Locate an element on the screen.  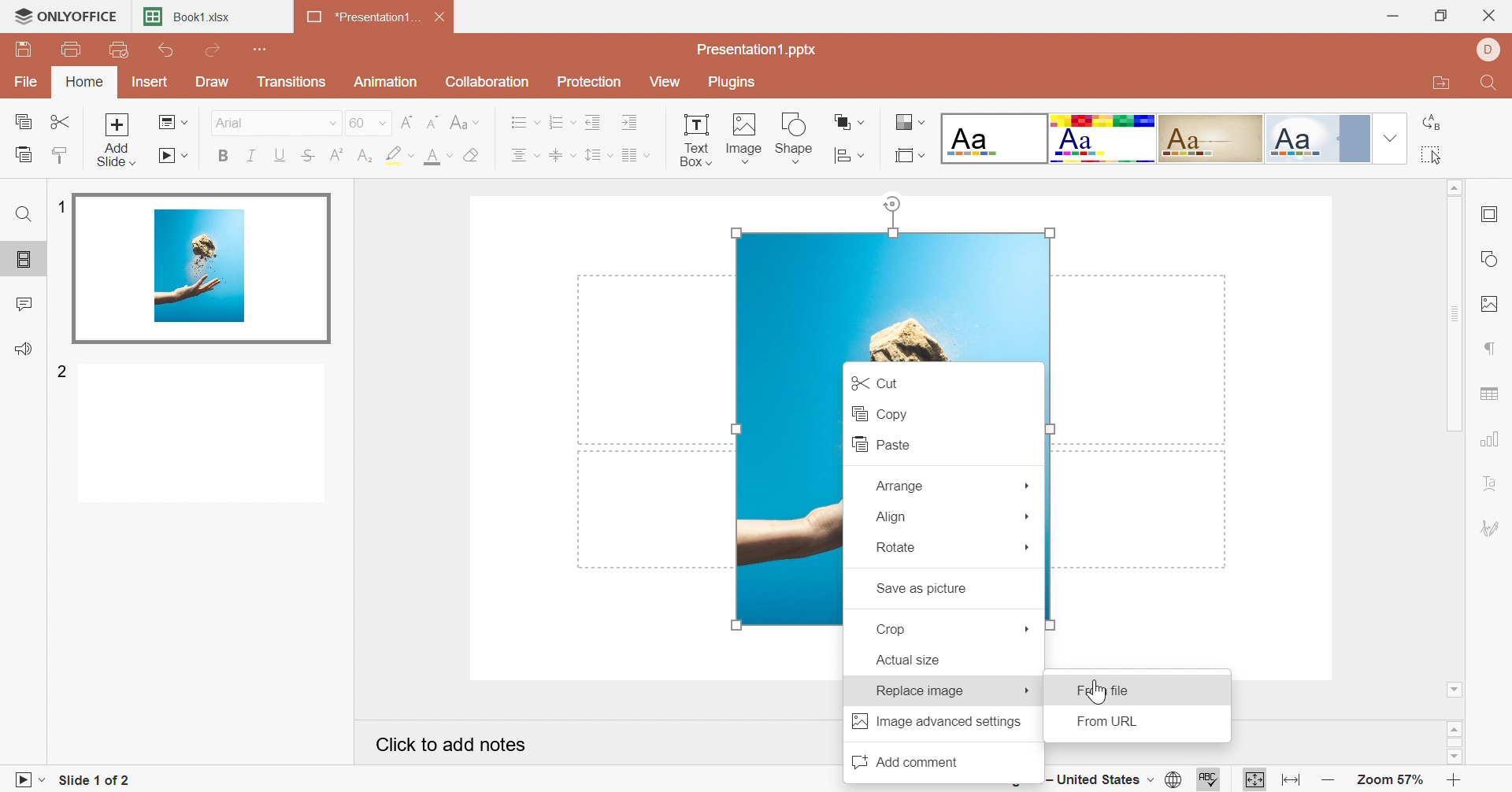
Change color theme is located at coordinates (908, 122).